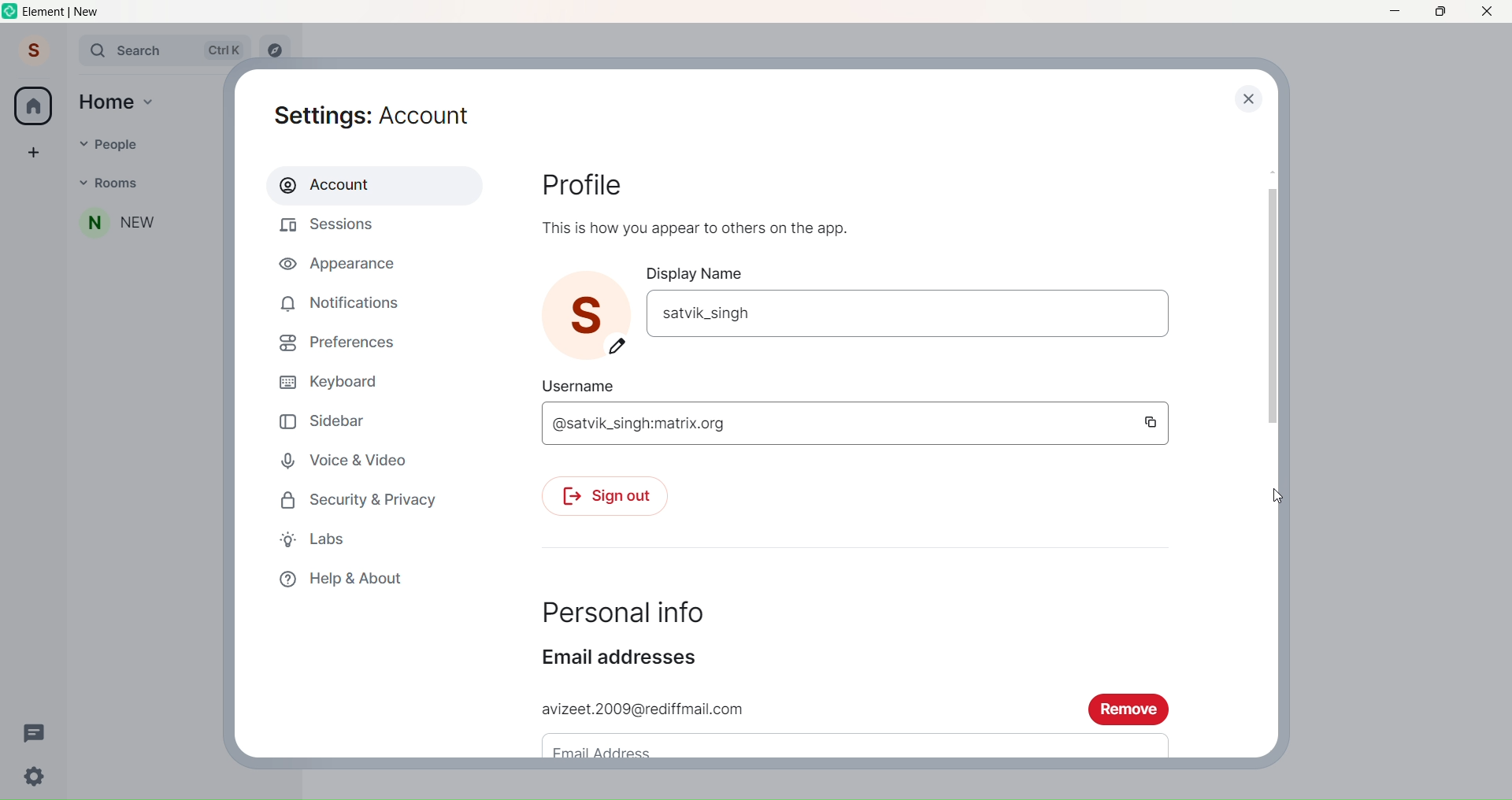  Describe the element at coordinates (276, 51) in the screenshot. I see `Explore rooms` at that location.